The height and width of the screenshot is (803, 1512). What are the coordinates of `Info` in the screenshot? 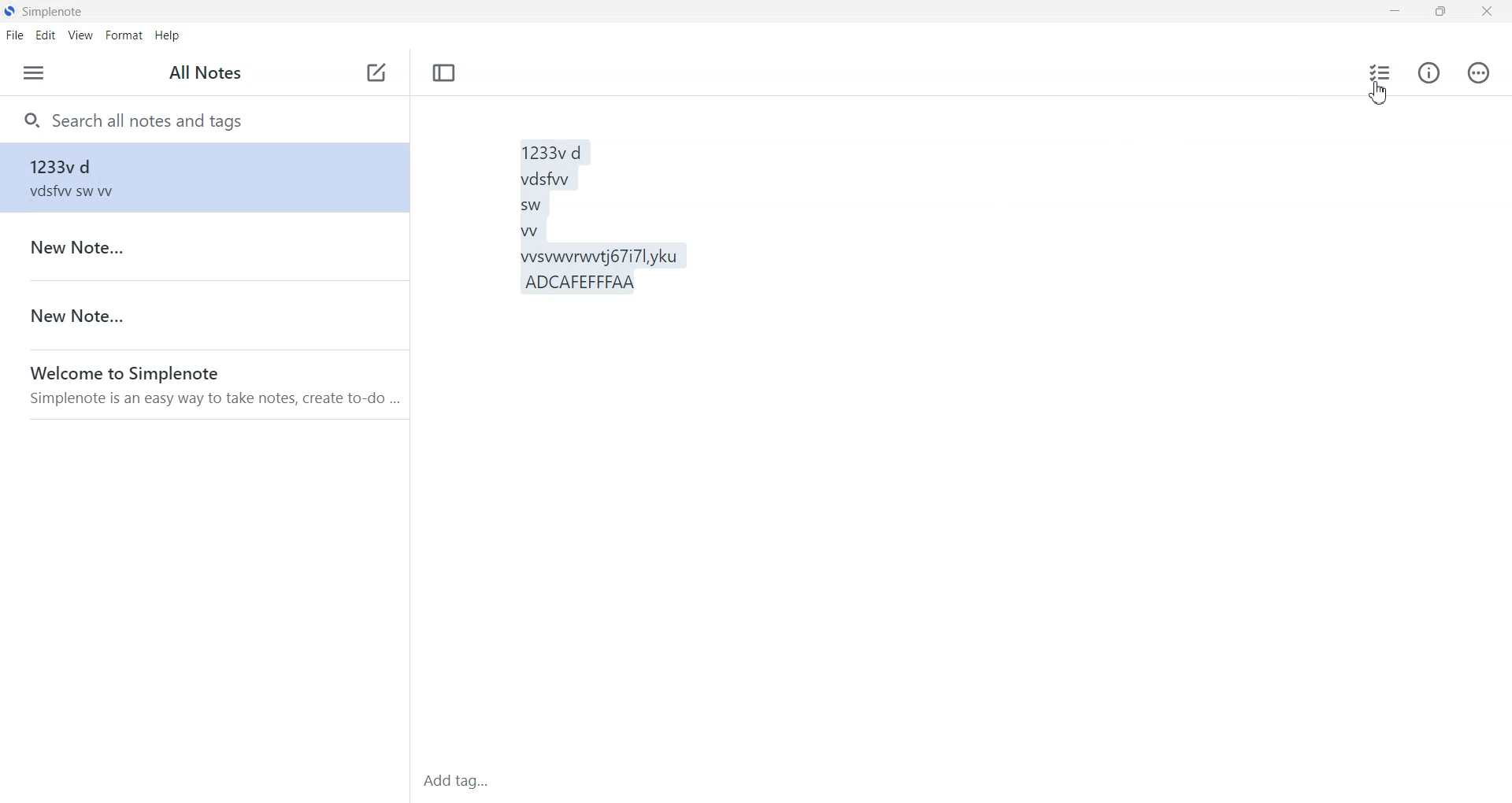 It's located at (1429, 75).